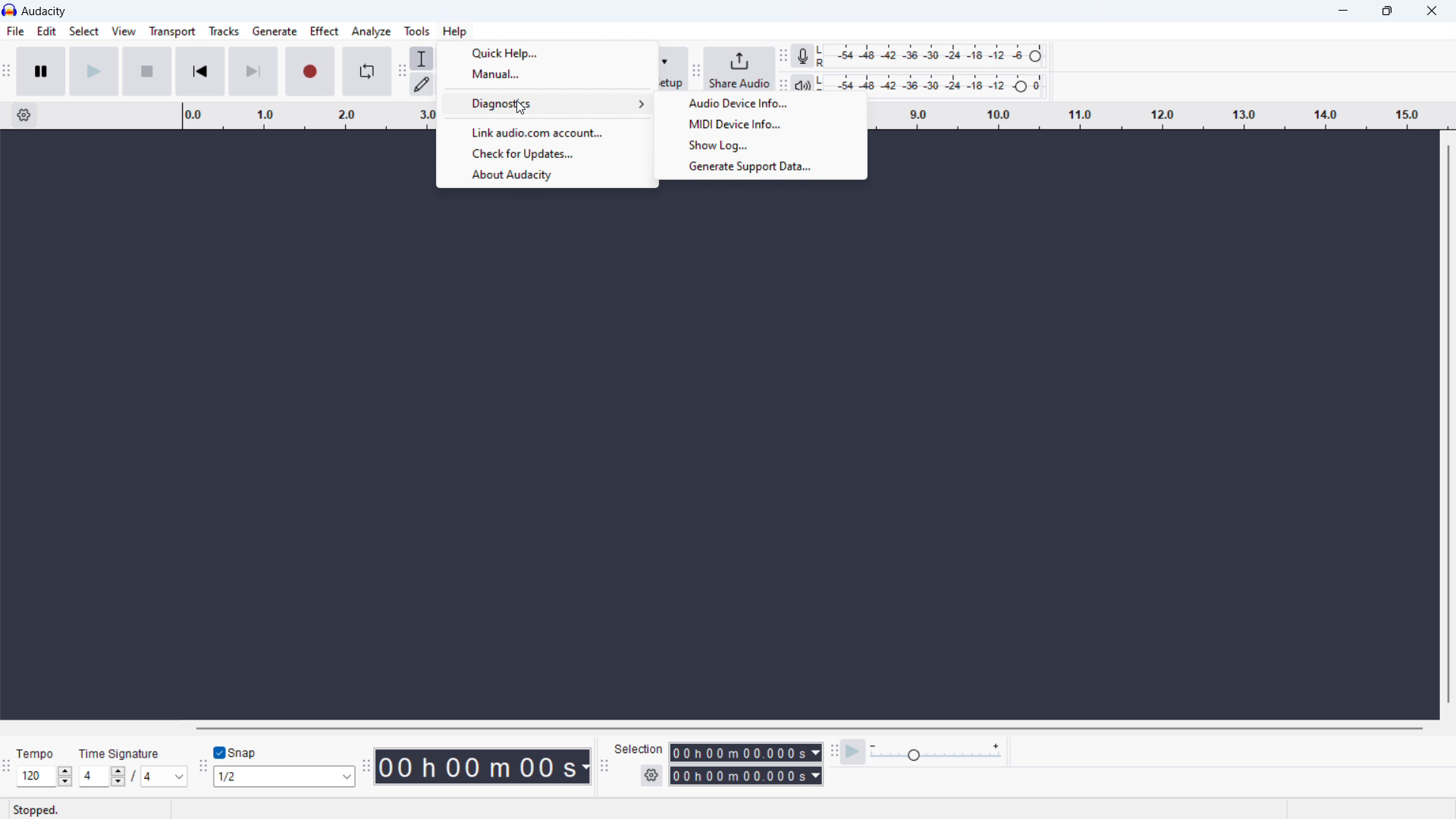 This screenshot has width=1456, height=819. I want to click on generate support data, so click(761, 168).